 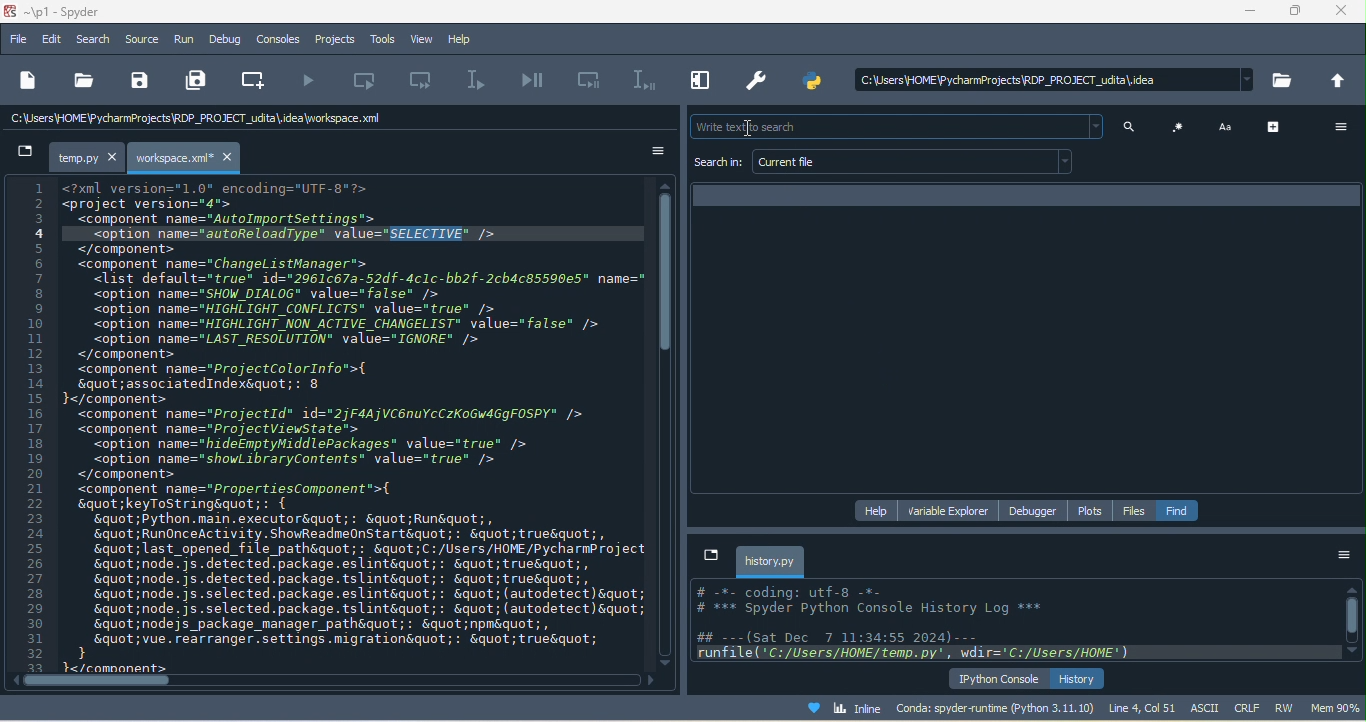 What do you see at coordinates (258, 78) in the screenshot?
I see `create new cell` at bounding box center [258, 78].